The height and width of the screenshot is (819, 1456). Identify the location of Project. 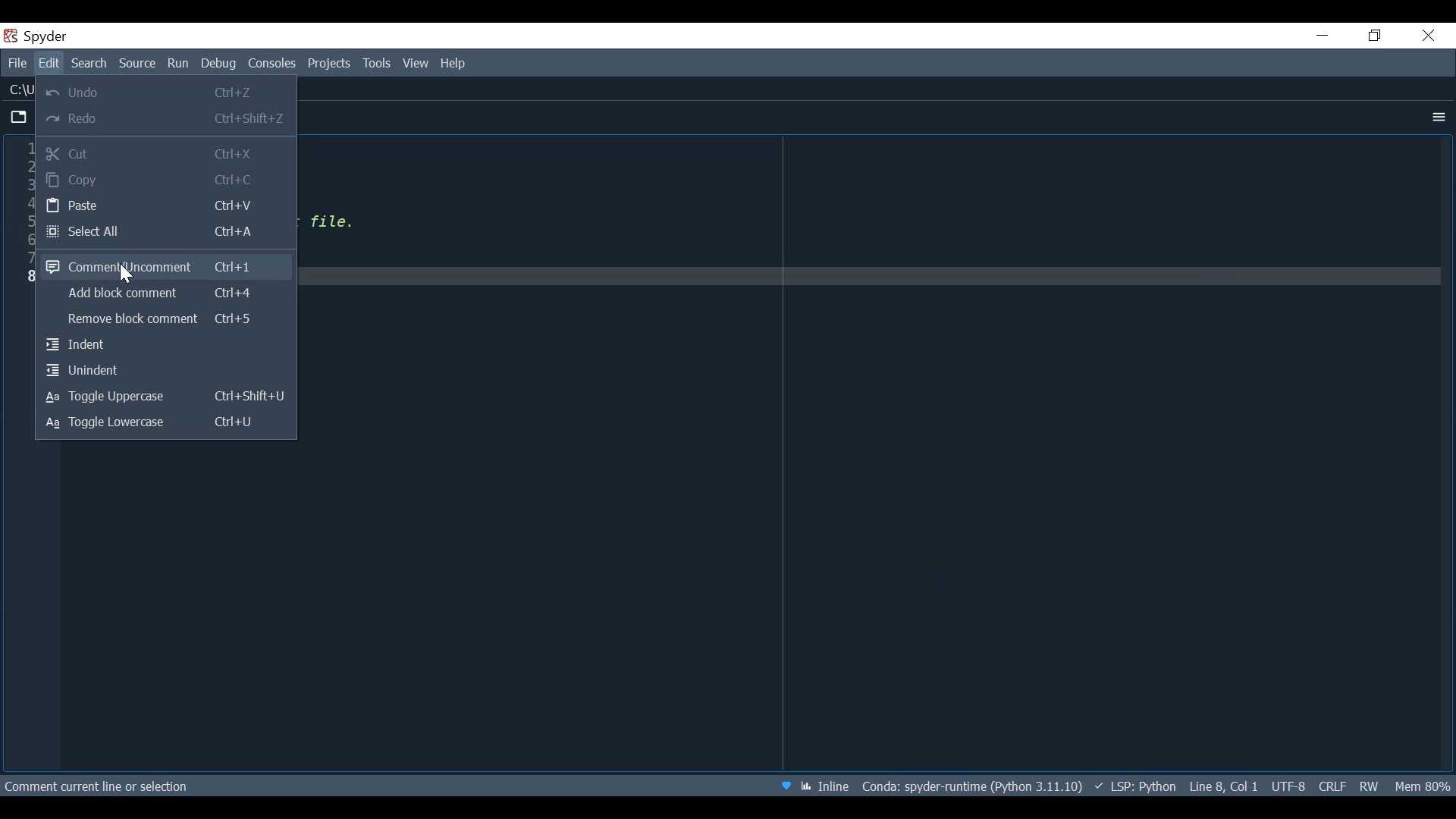
(330, 64).